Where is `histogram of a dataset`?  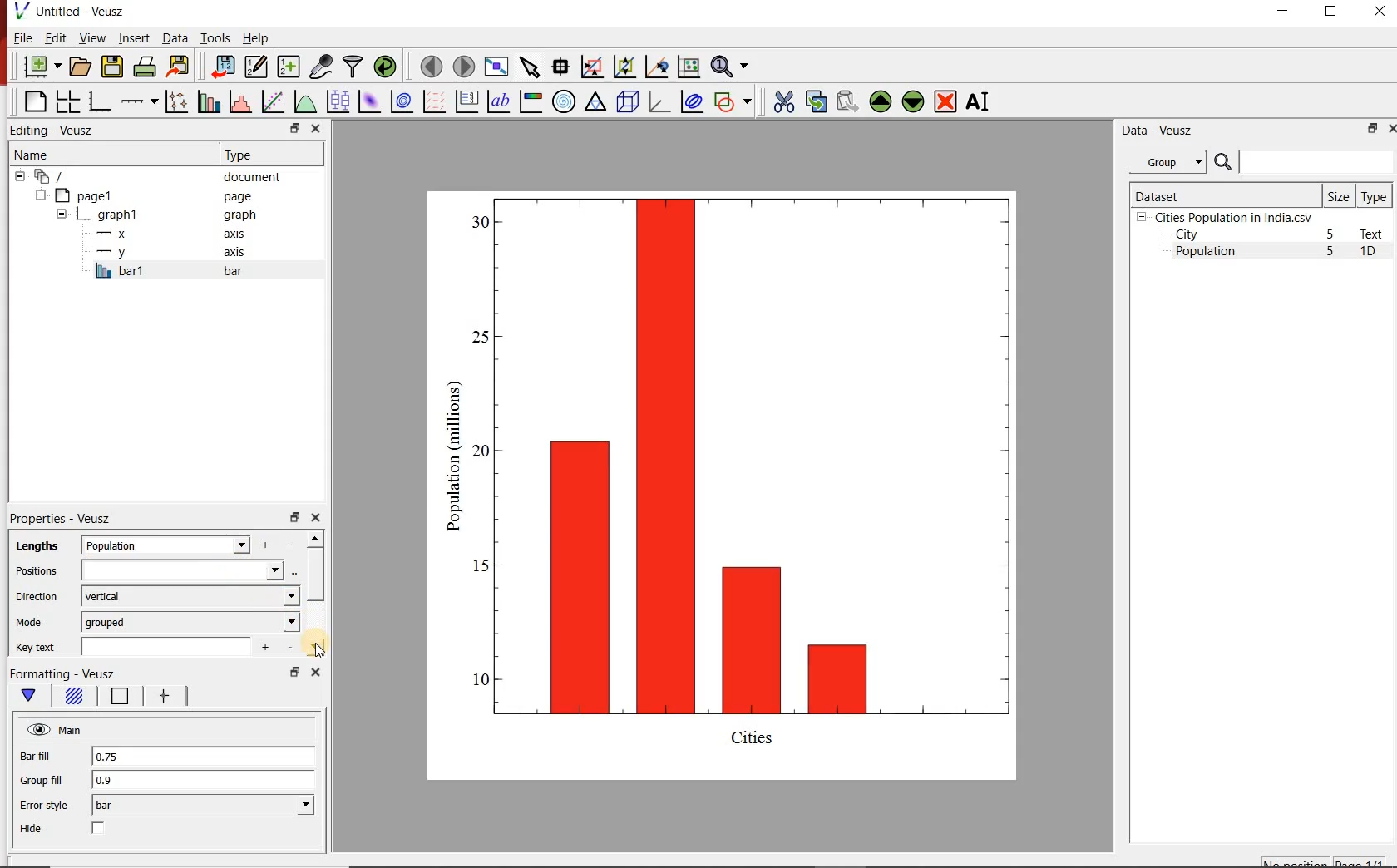
histogram of a dataset is located at coordinates (238, 101).